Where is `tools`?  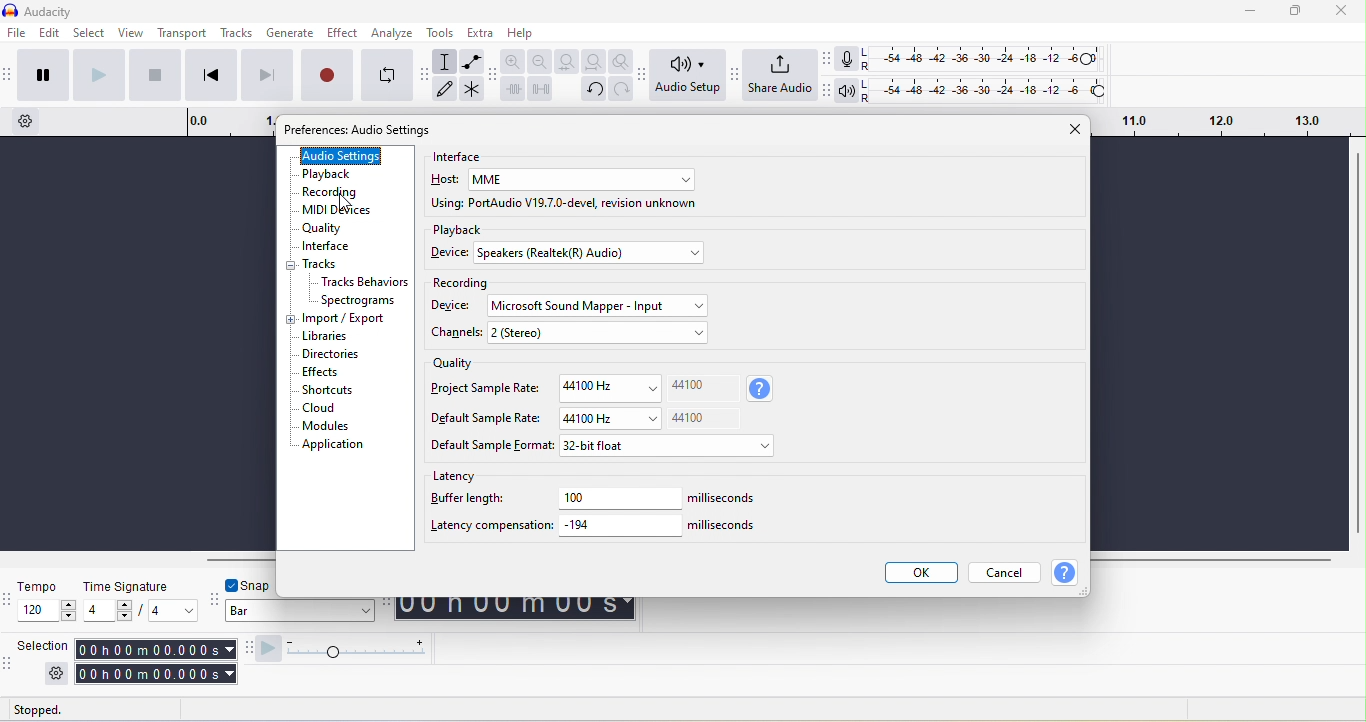 tools is located at coordinates (437, 33).